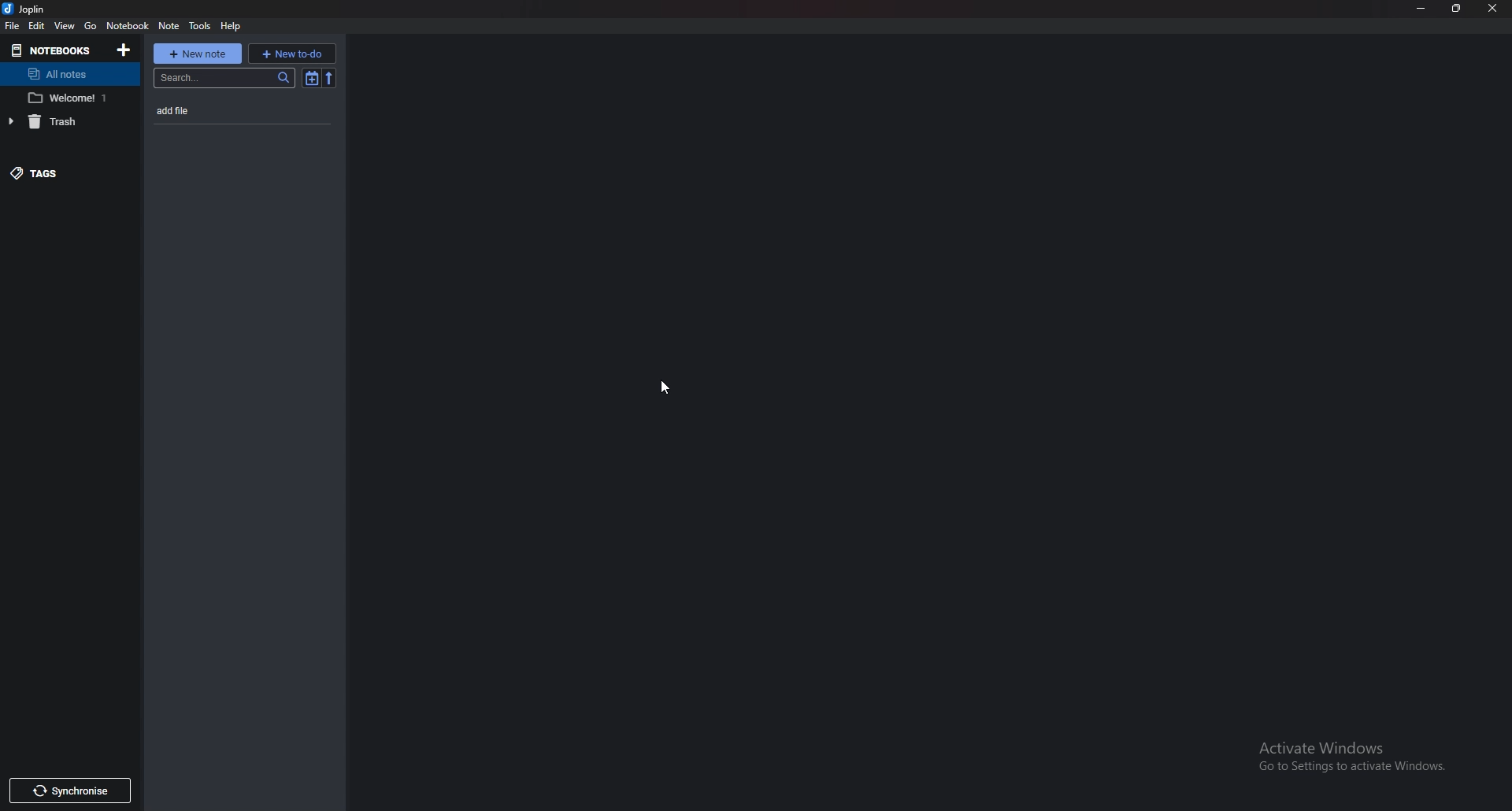 Image resolution: width=1512 pixels, height=811 pixels. I want to click on joplin, so click(30, 8).